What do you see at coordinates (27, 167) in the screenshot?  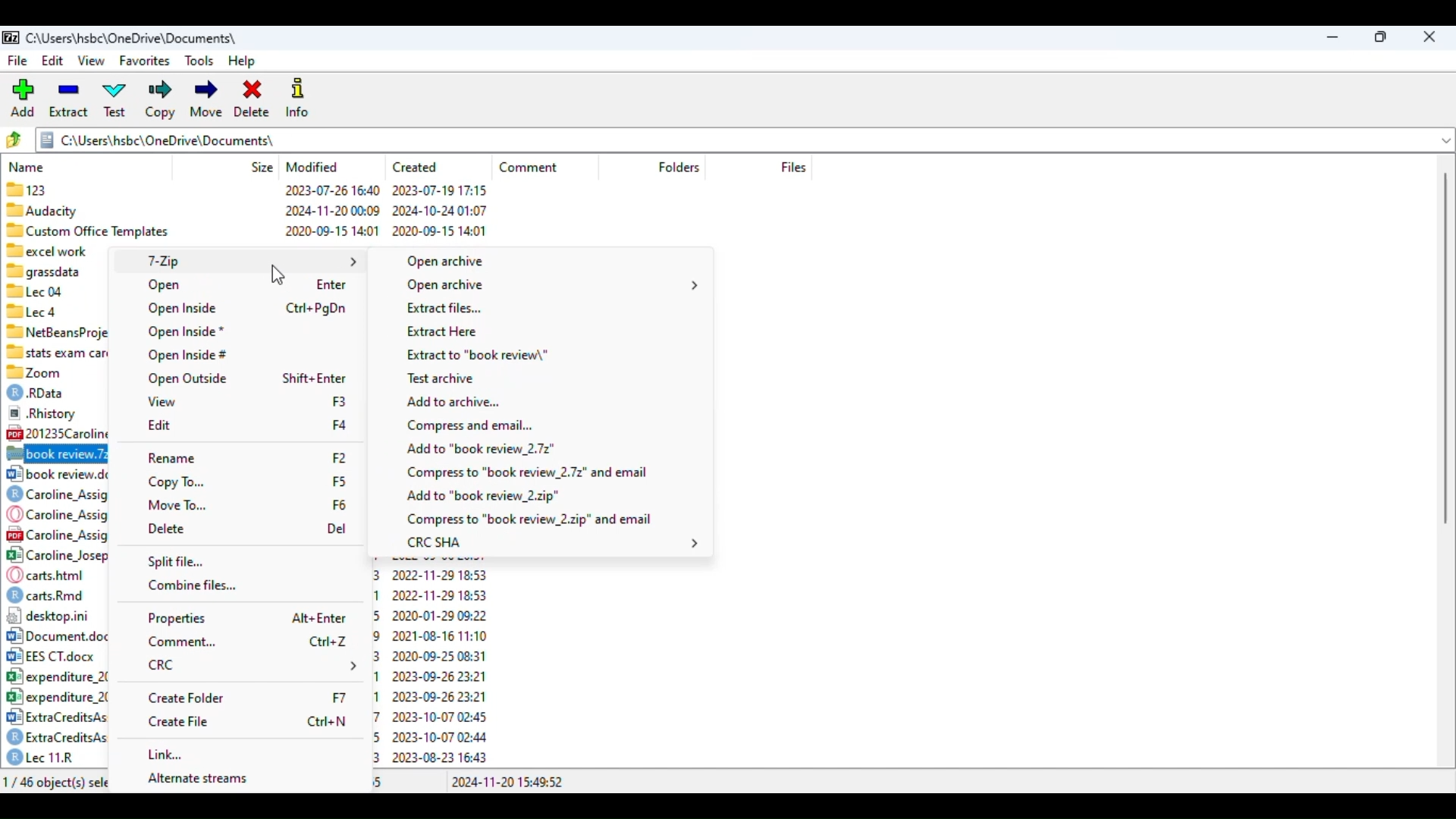 I see `name` at bounding box center [27, 167].